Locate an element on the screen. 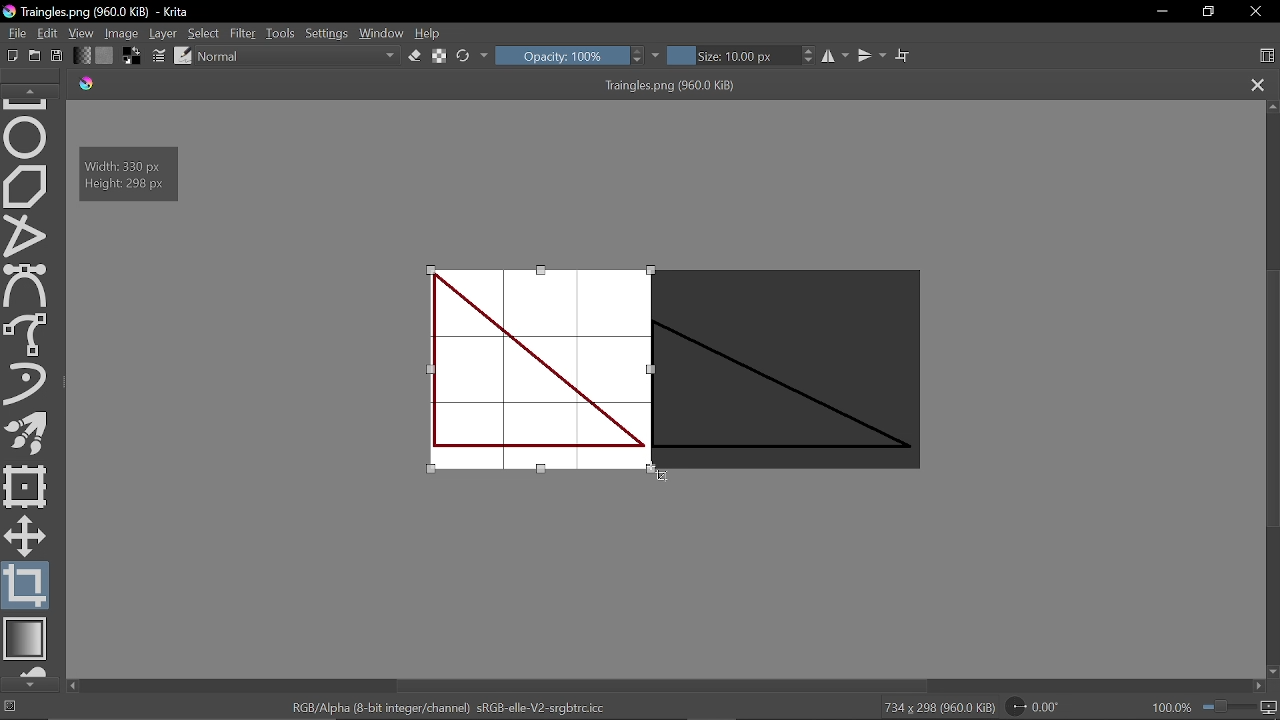  Close tab is located at coordinates (1258, 86).